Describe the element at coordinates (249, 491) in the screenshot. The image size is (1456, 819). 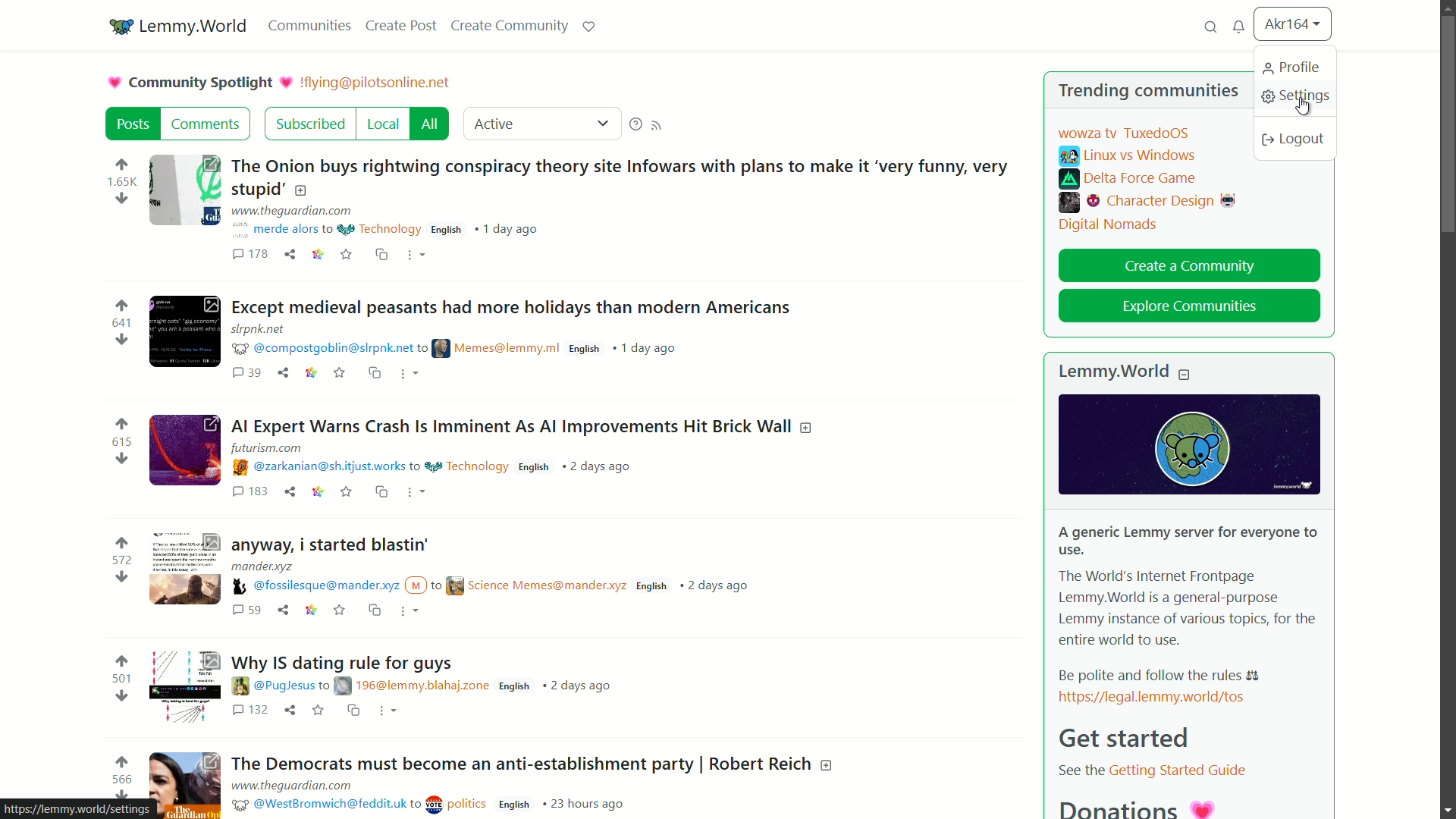
I see `comments` at that location.